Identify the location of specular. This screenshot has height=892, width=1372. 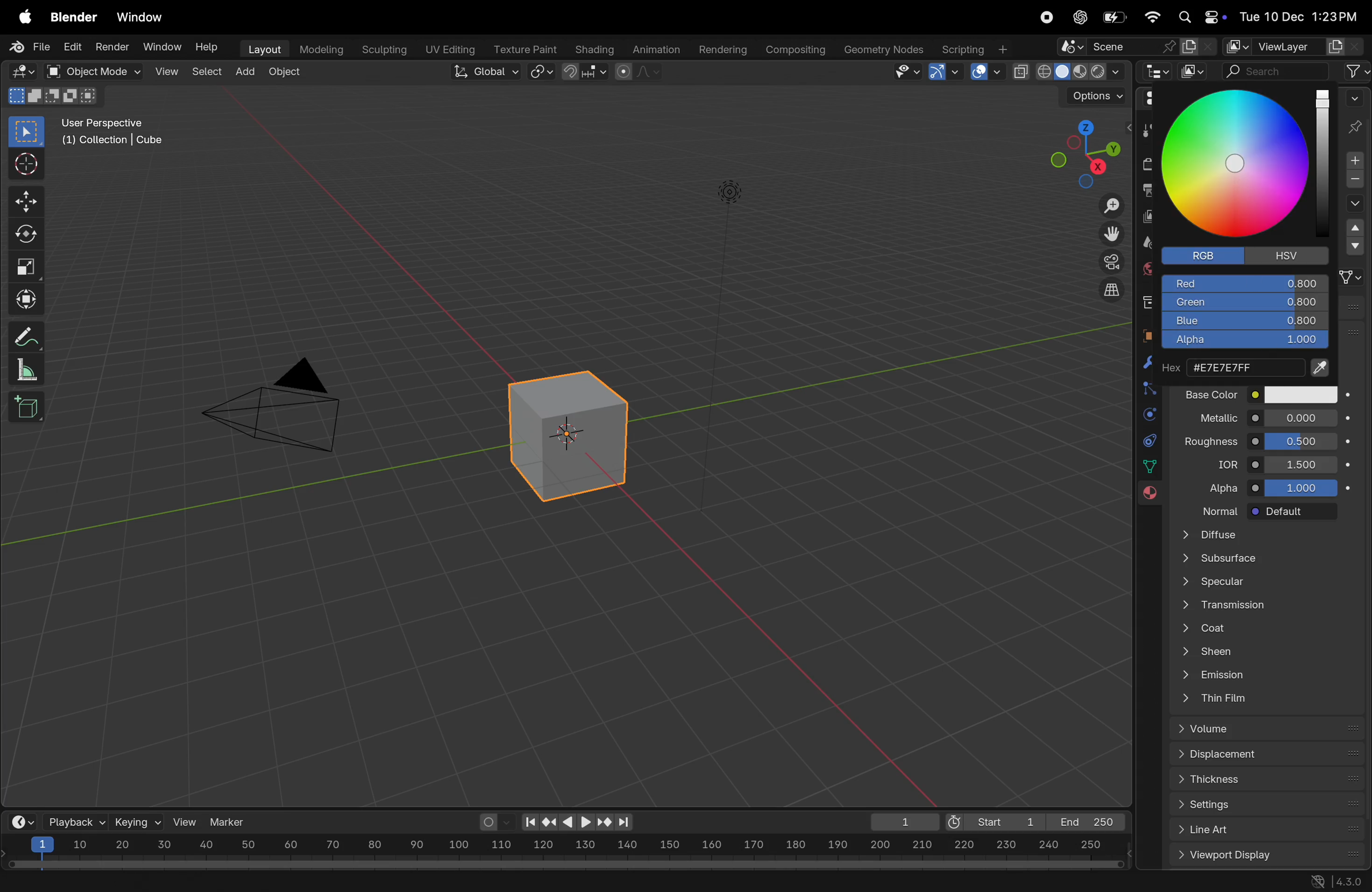
(1263, 583).